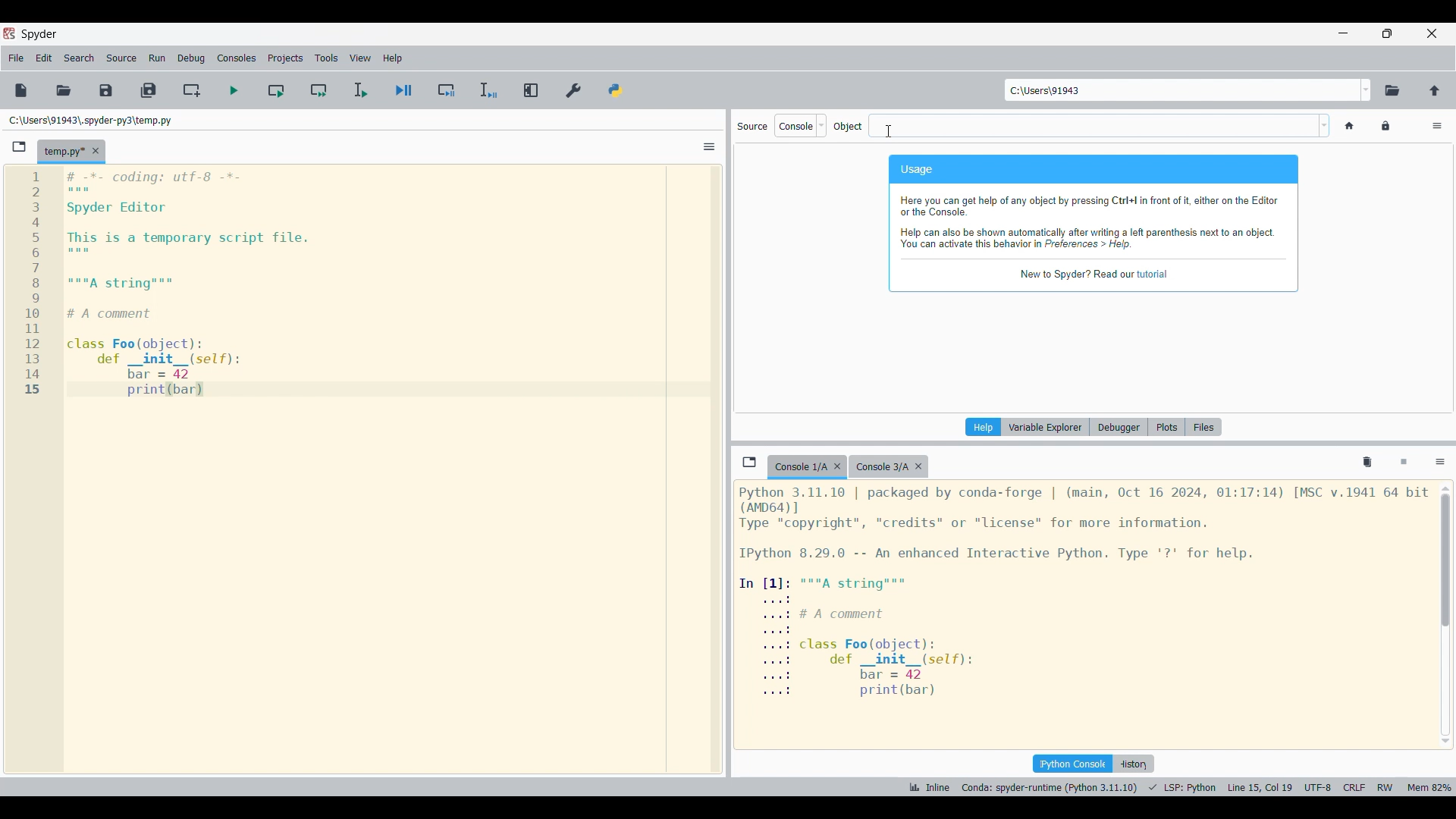 The height and width of the screenshot is (819, 1456). Describe the element at coordinates (122, 56) in the screenshot. I see `Source menu` at that location.